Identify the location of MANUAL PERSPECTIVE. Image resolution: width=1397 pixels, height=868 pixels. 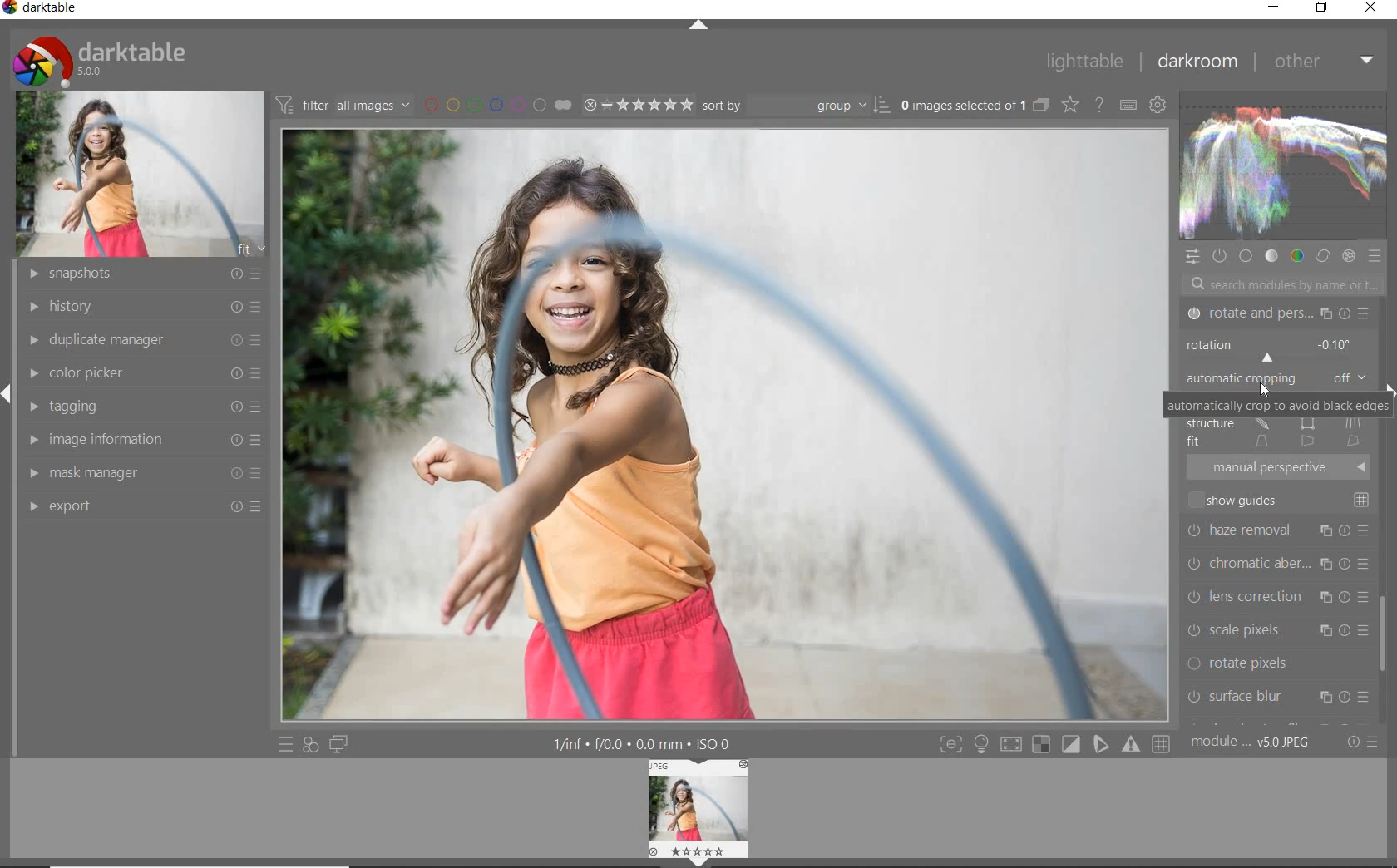
(1281, 466).